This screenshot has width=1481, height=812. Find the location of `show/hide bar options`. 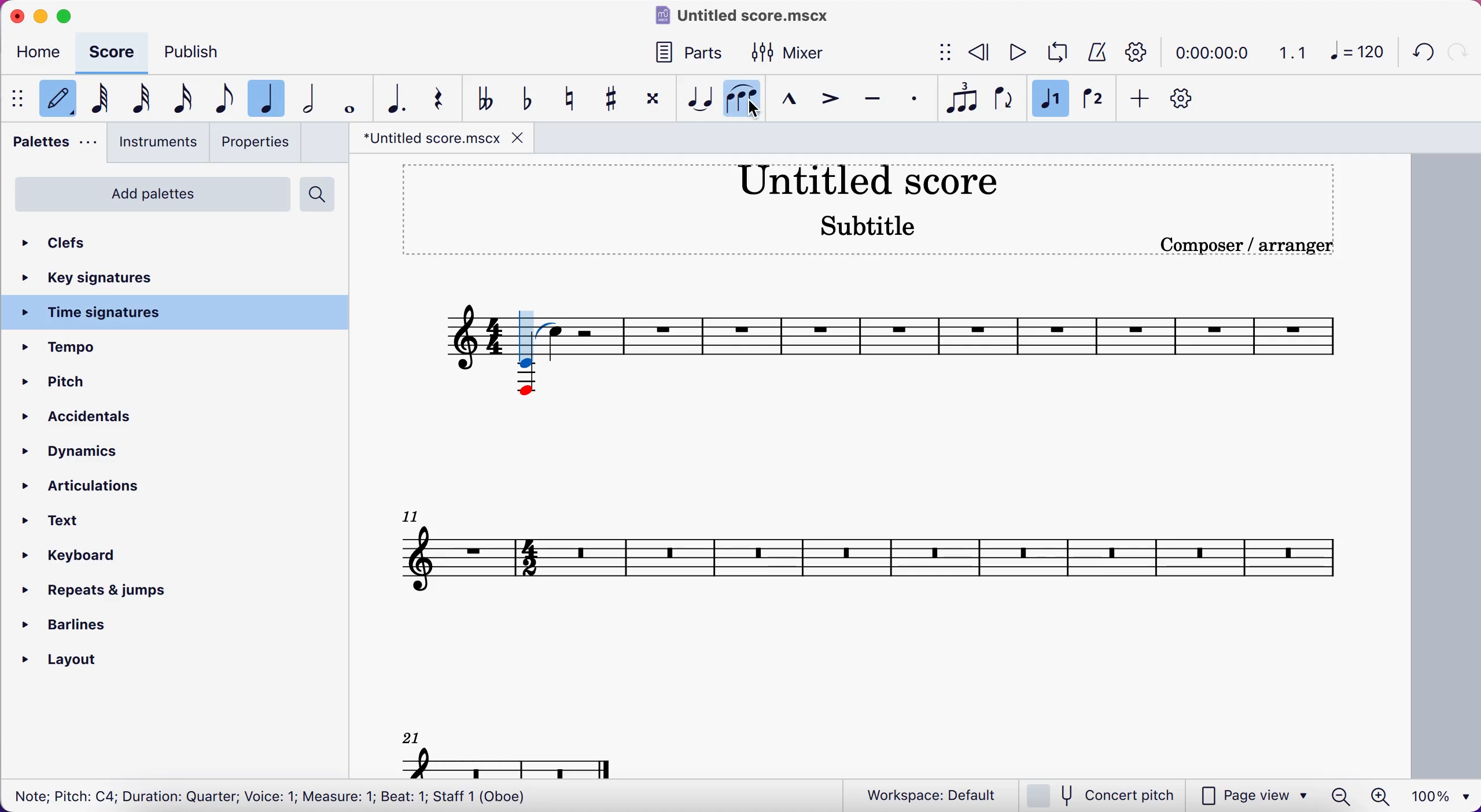

show/hide bar options is located at coordinates (20, 100).